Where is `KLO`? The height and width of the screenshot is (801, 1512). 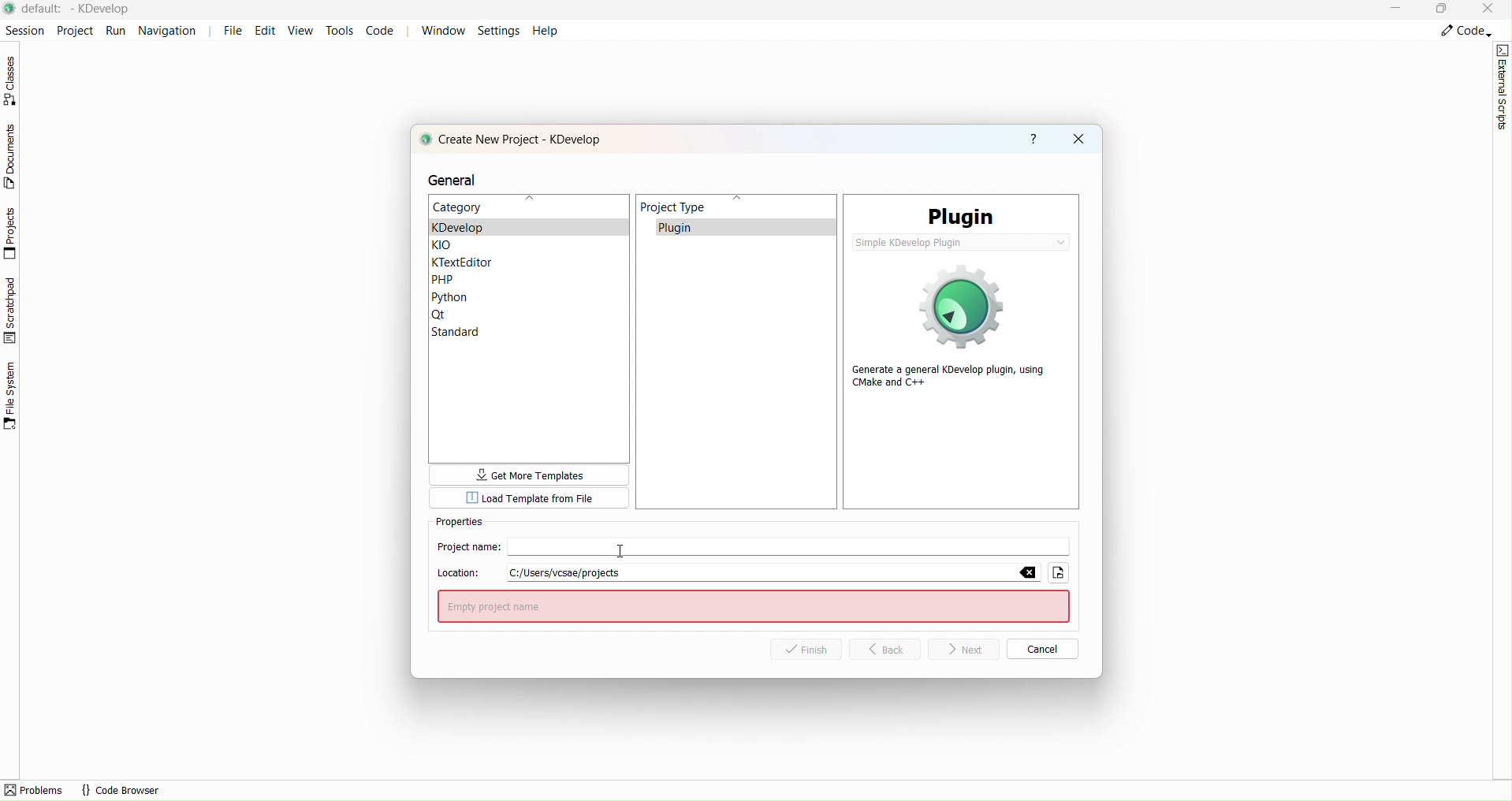 KLO is located at coordinates (459, 244).